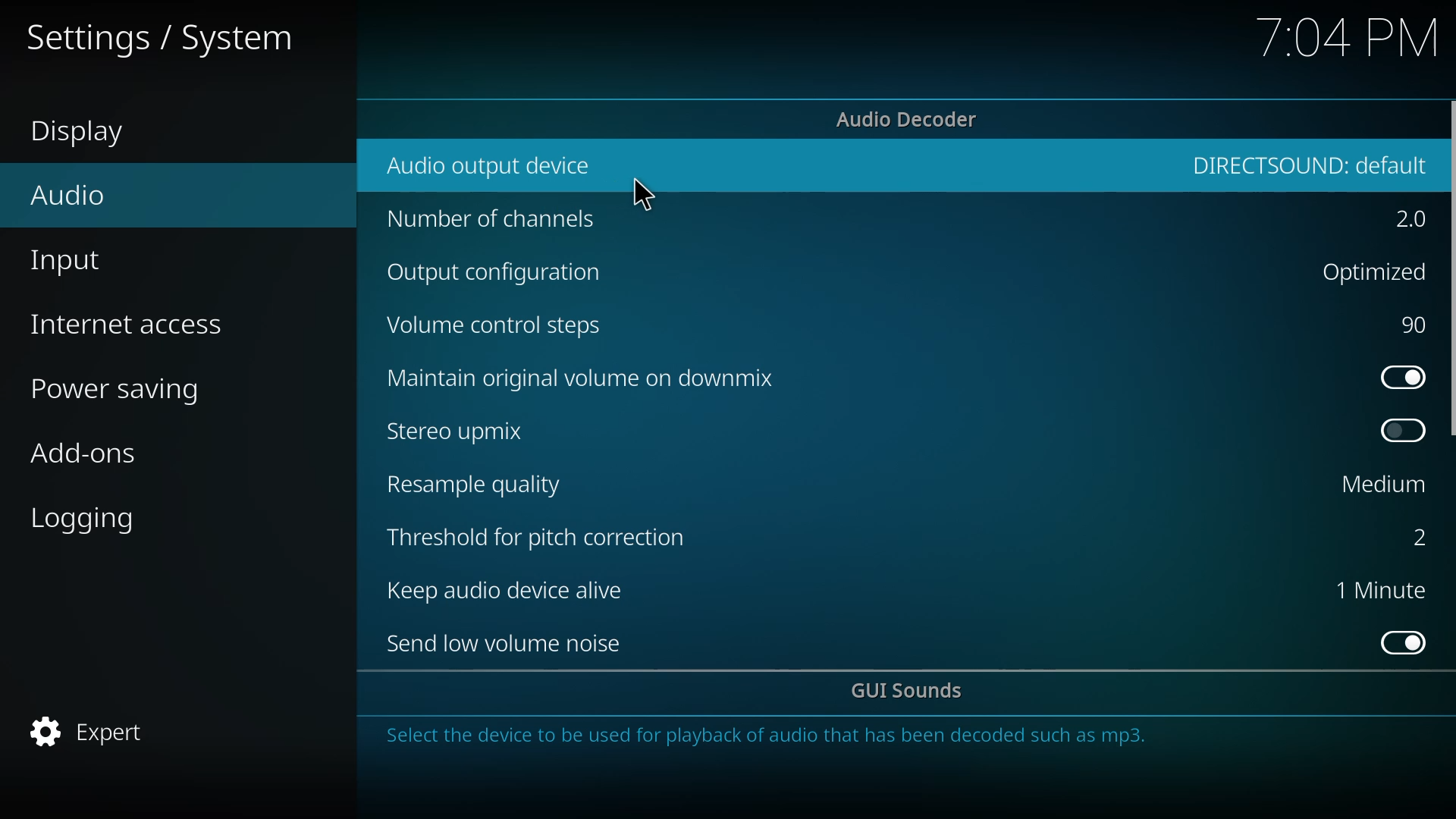 This screenshot has height=819, width=1456. I want to click on medium, so click(1384, 483).